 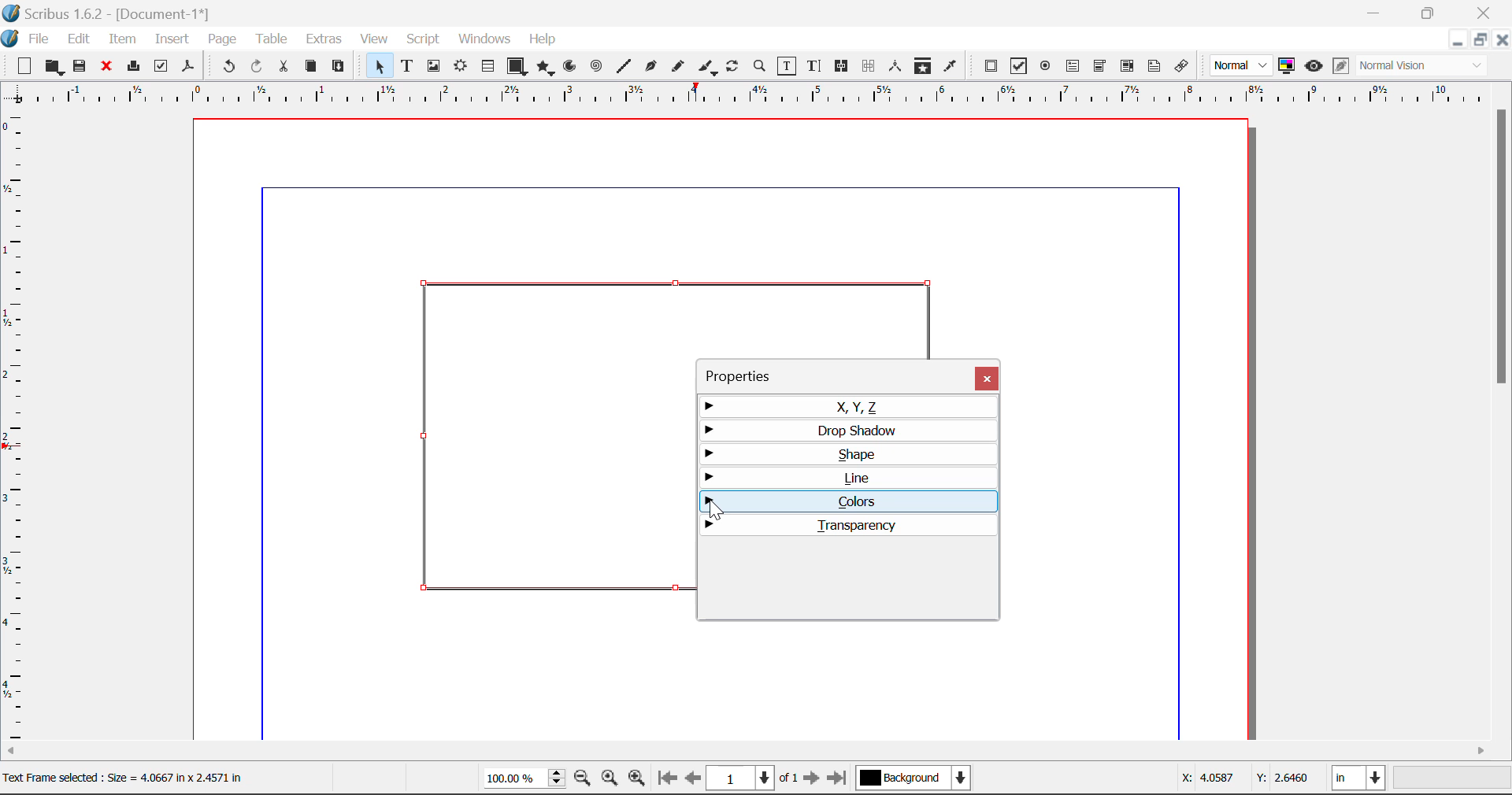 I want to click on Display Visual Appearance, so click(x=1428, y=66).